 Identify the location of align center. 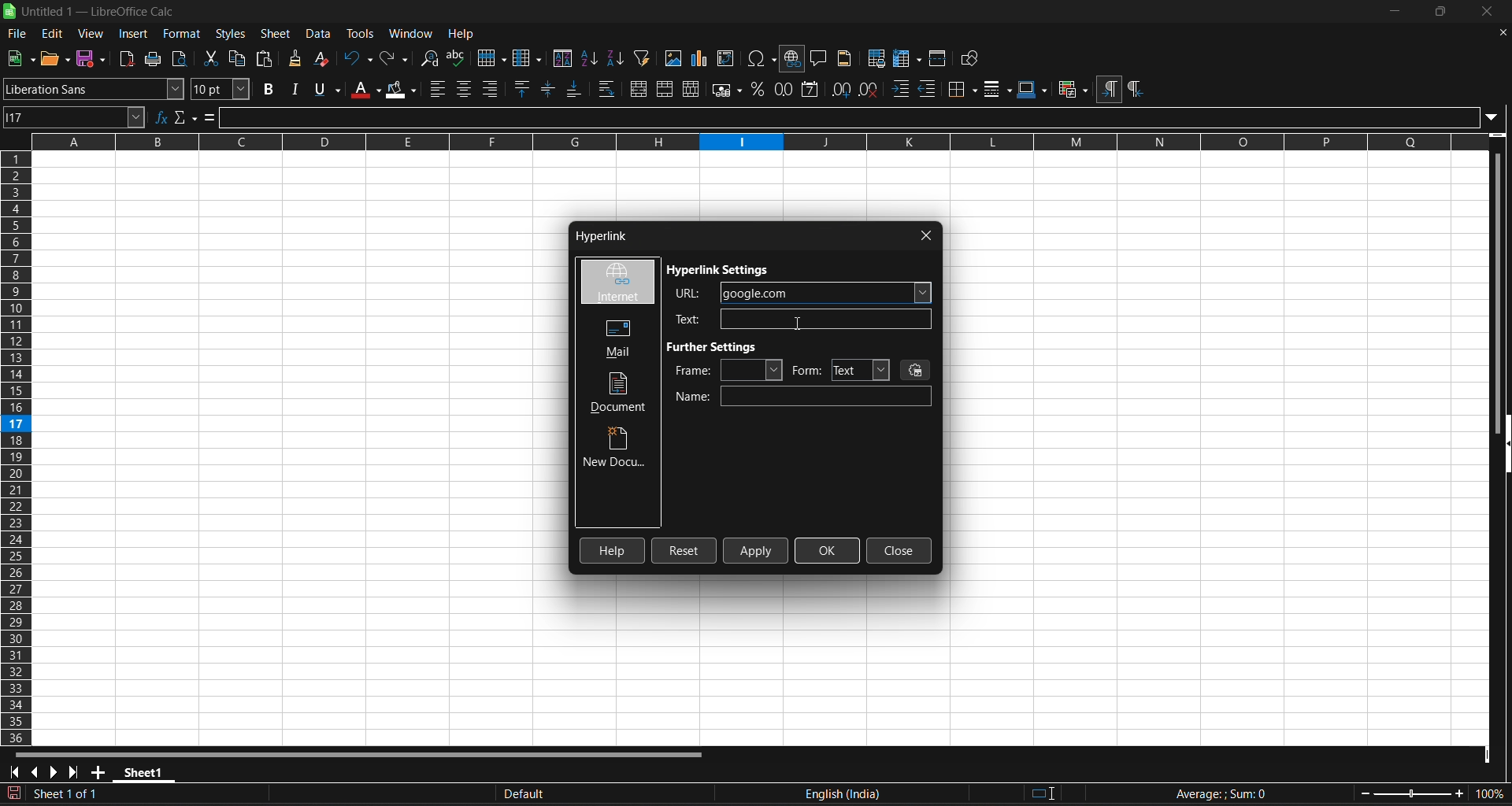
(465, 89).